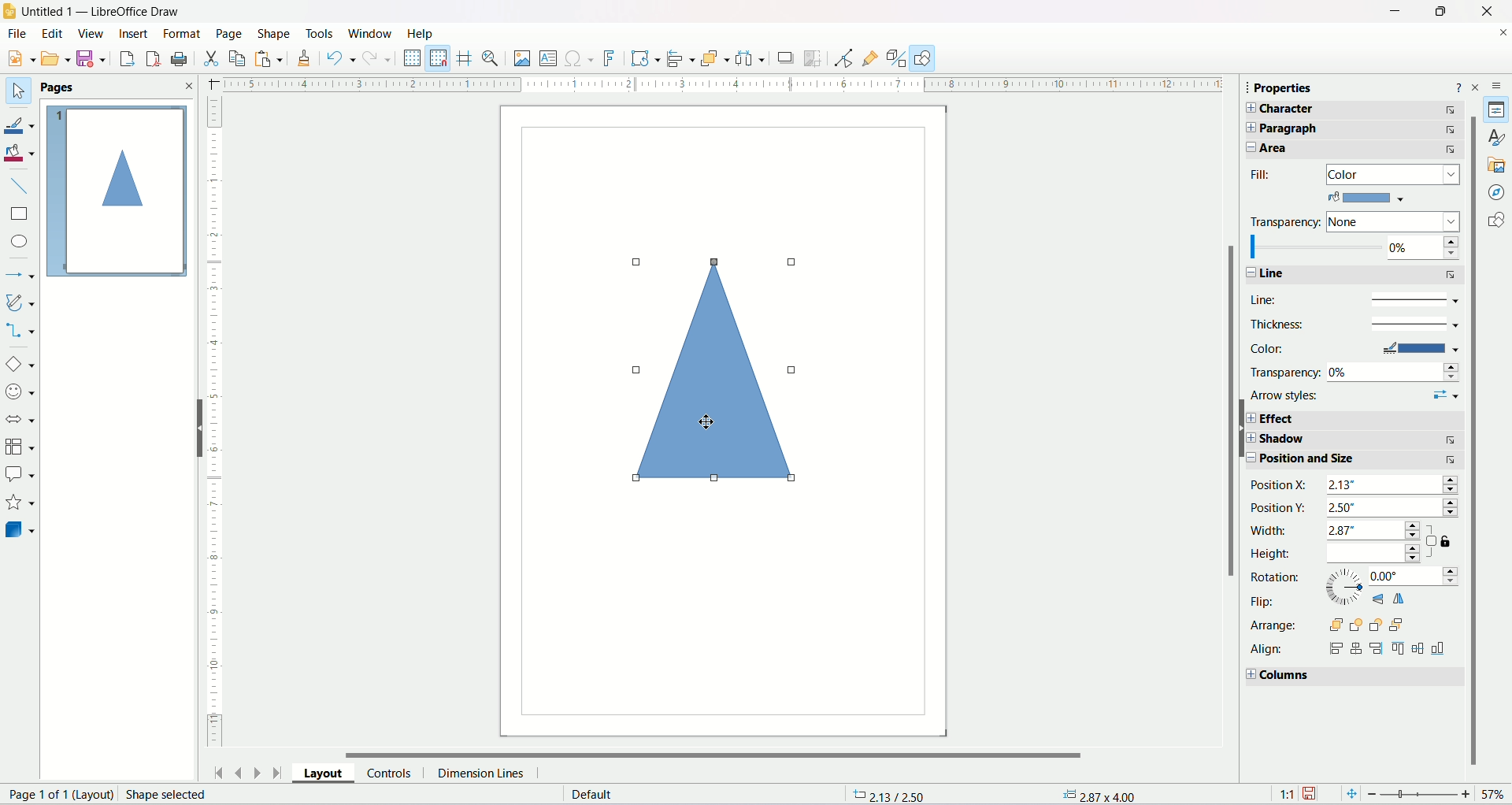 The width and height of the screenshot is (1512, 805). What do you see at coordinates (218, 422) in the screenshot?
I see `Vertical Ruler` at bounding box center [218, 422].